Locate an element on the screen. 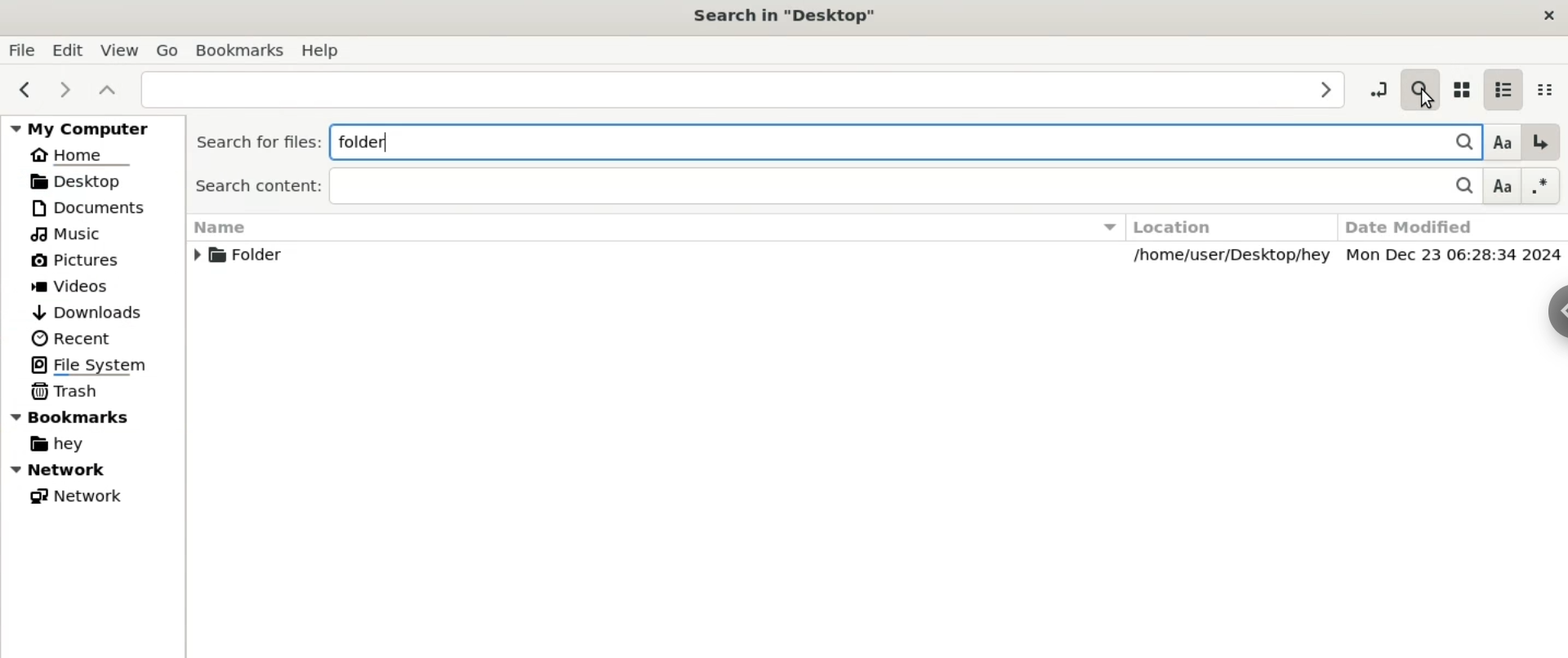 The image size is (1568, 658). Previous is located at coordinates (21, 90).